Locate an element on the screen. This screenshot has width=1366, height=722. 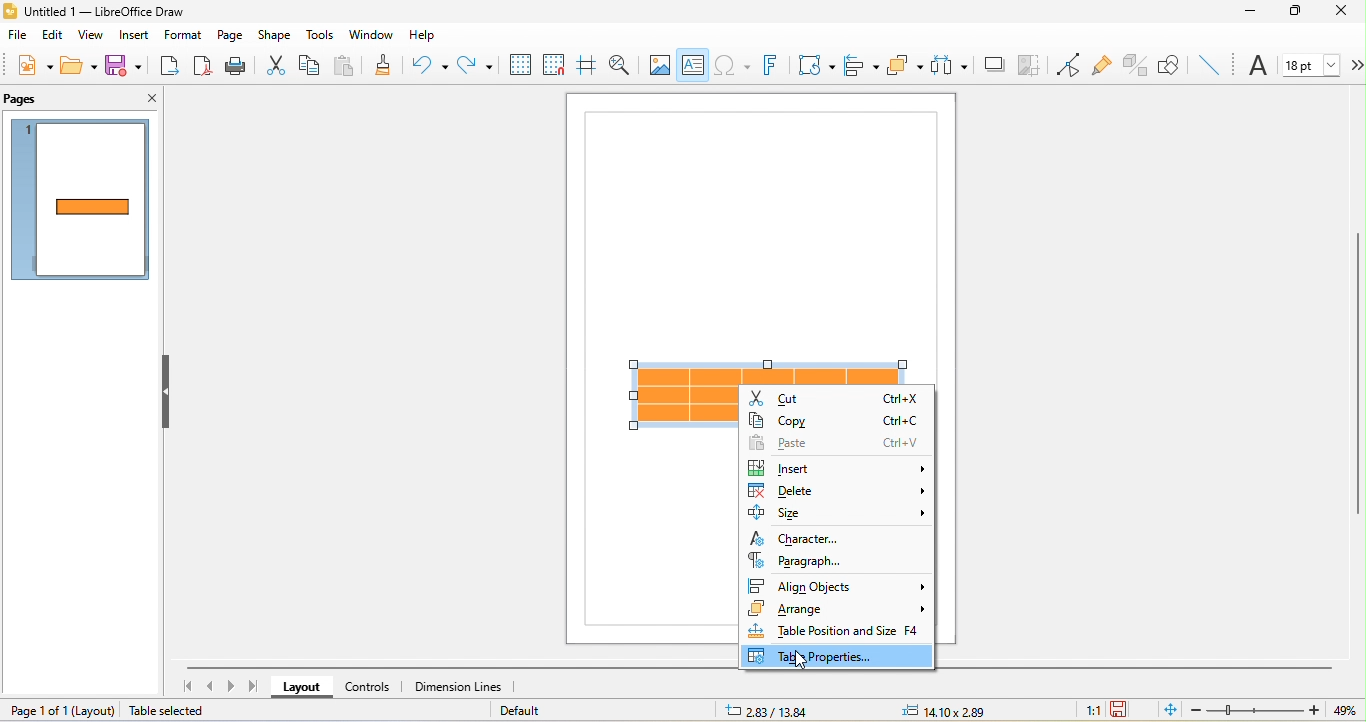
clone formatting is located at coordinates (388, 67).